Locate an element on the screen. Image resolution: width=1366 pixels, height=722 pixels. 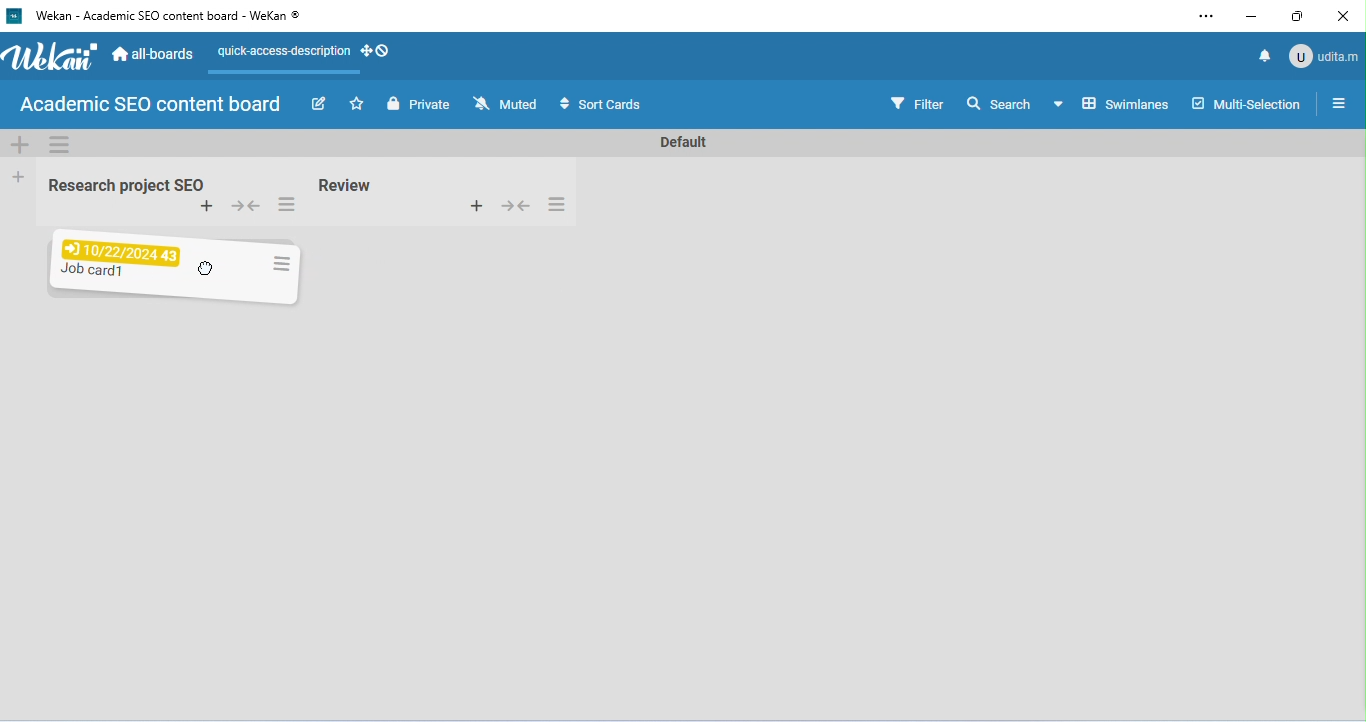
multi-selection is located at coordinates (1245, 103).